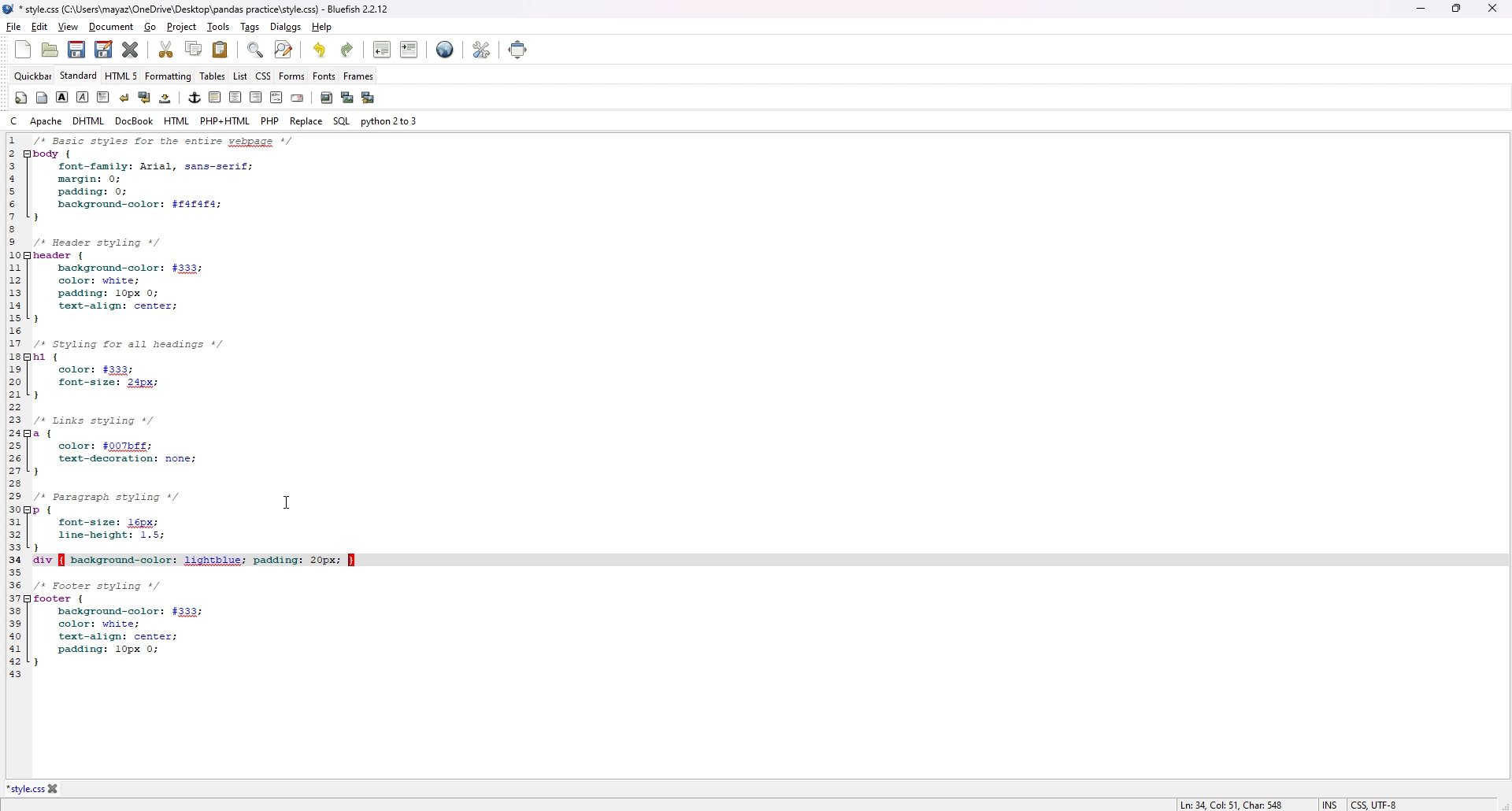 The image size is (1512, 811). I want to click on open, so click(50, 50).